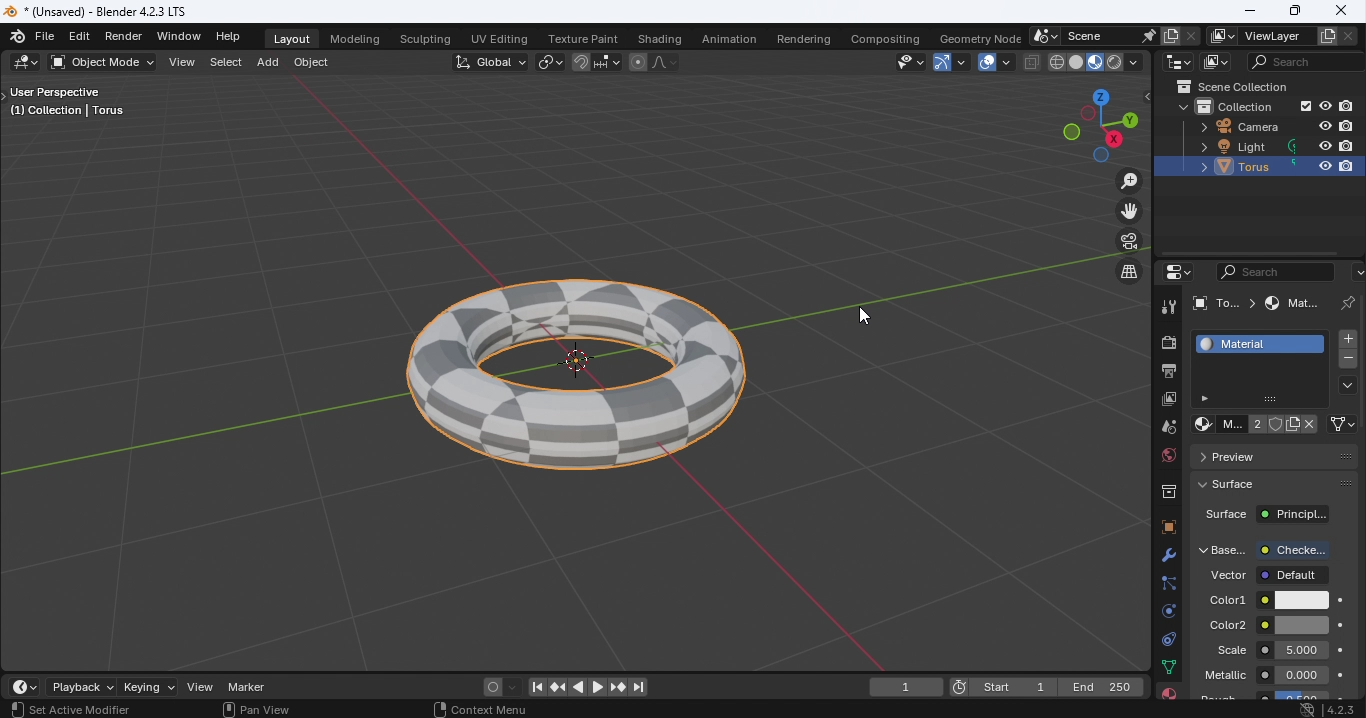 Image resolution: width=1366 pixels, height=718 pixels. What do you see at coordinates (660, 37) in the screenshot?
I see `Shading` at bounding box center [660, 37].